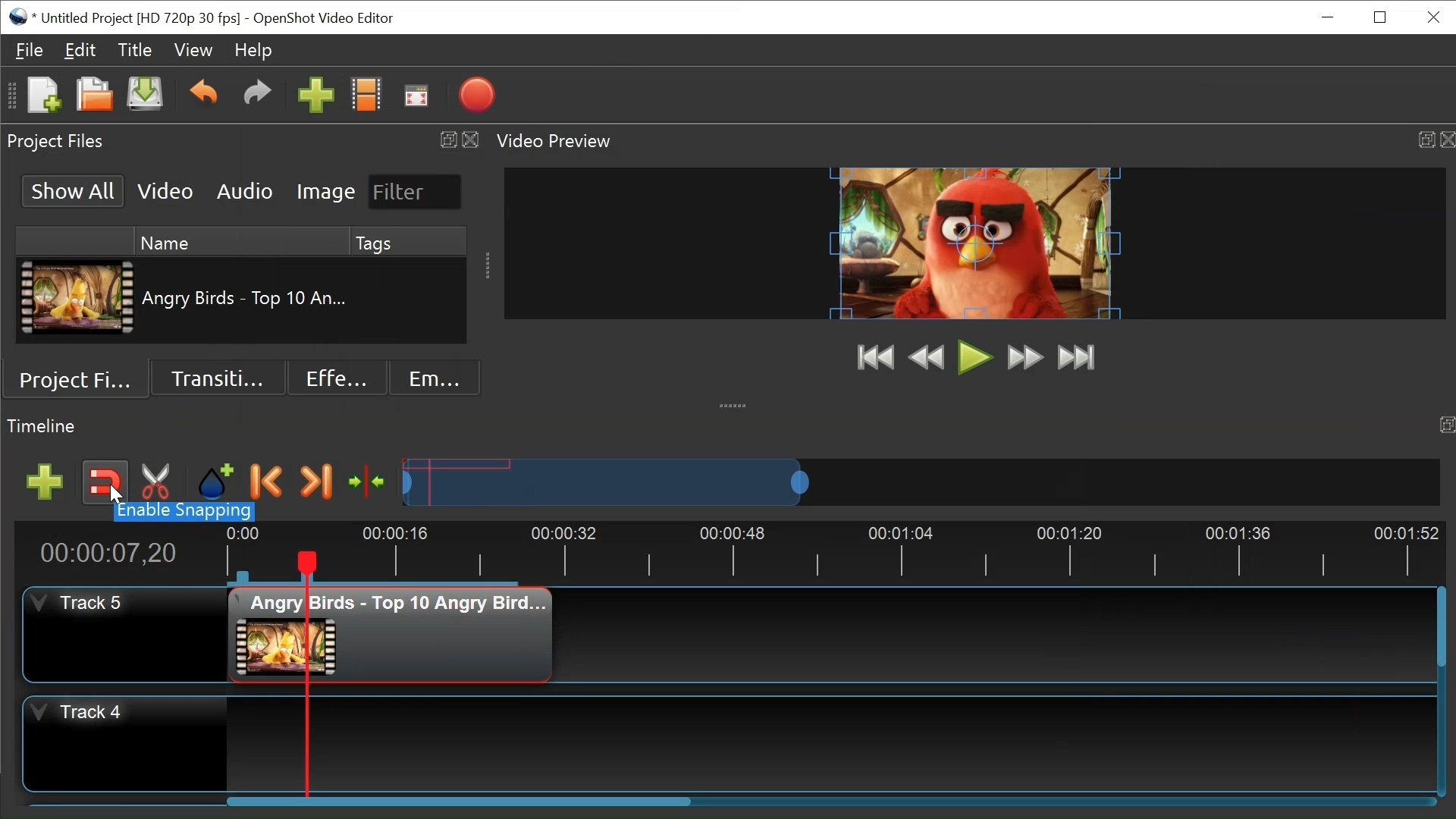 The image size is (1456, 819). What do you see at coordinates (253, 50) in the screenshot?
I see `elp` at bounding box center [253, 50].